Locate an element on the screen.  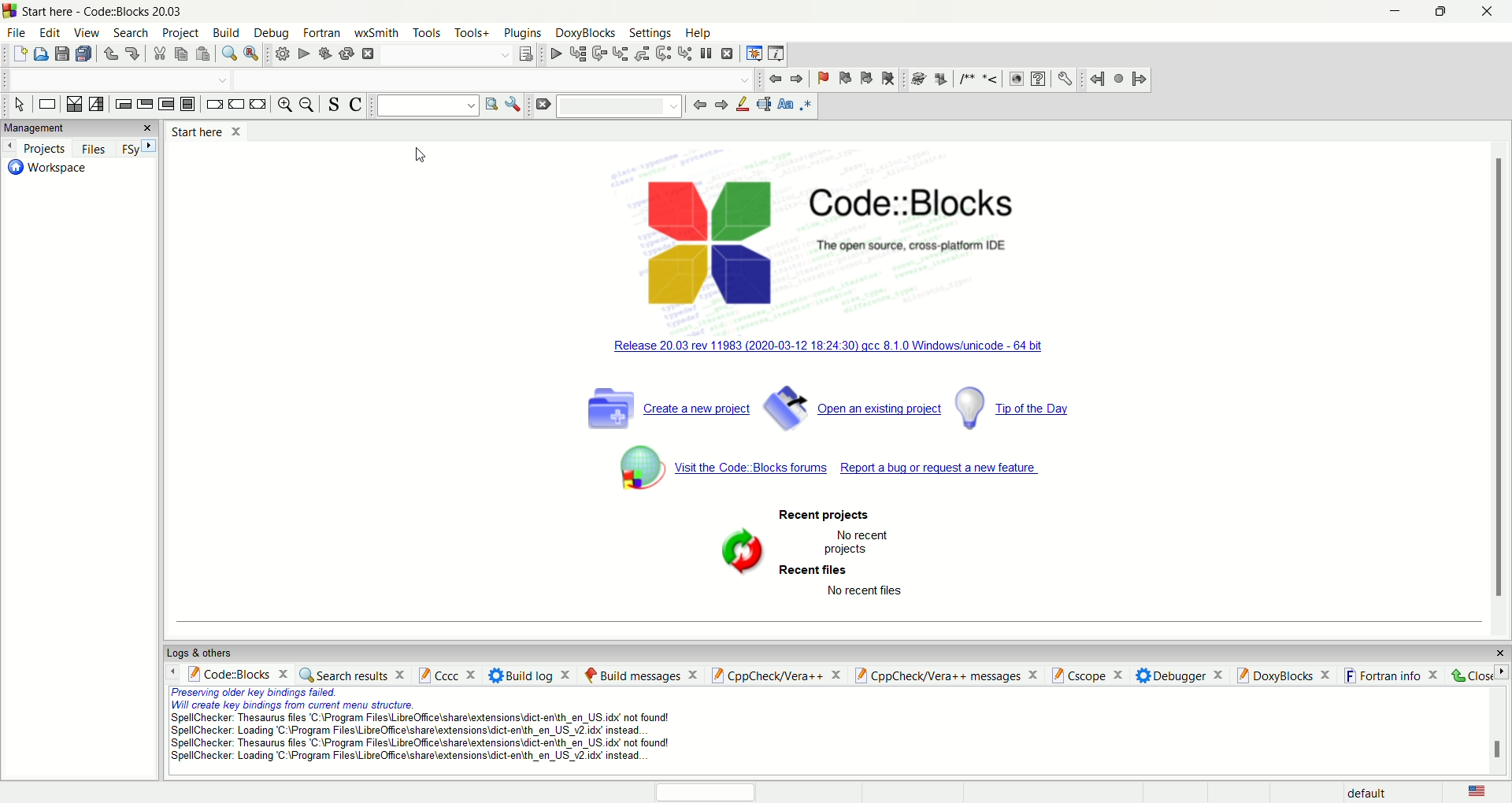
minimize is located at coordinates (1392, 14).